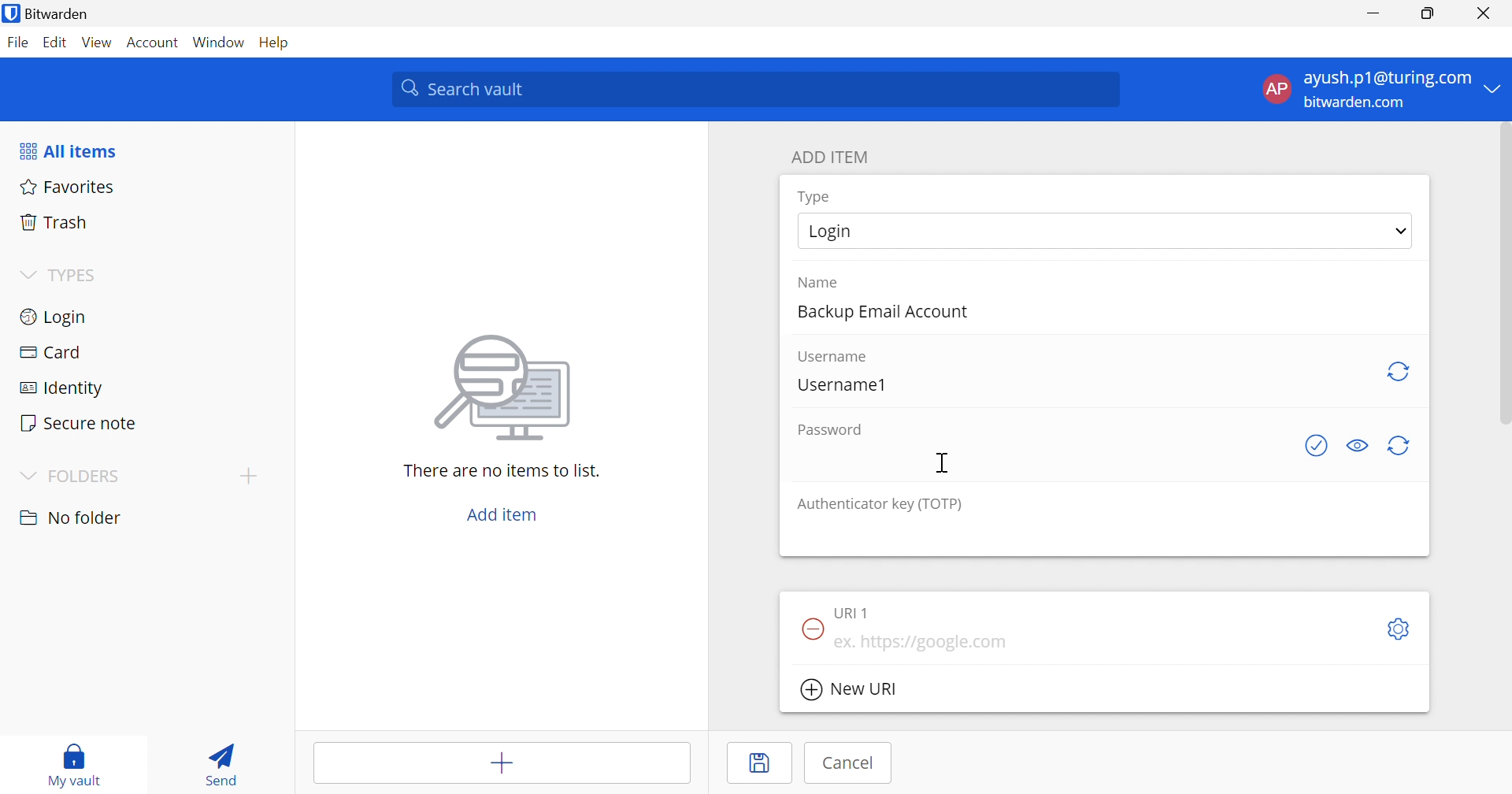  Describe the element at coordinates (944, 462) in the screenshot. I see `Cursor` at that location.